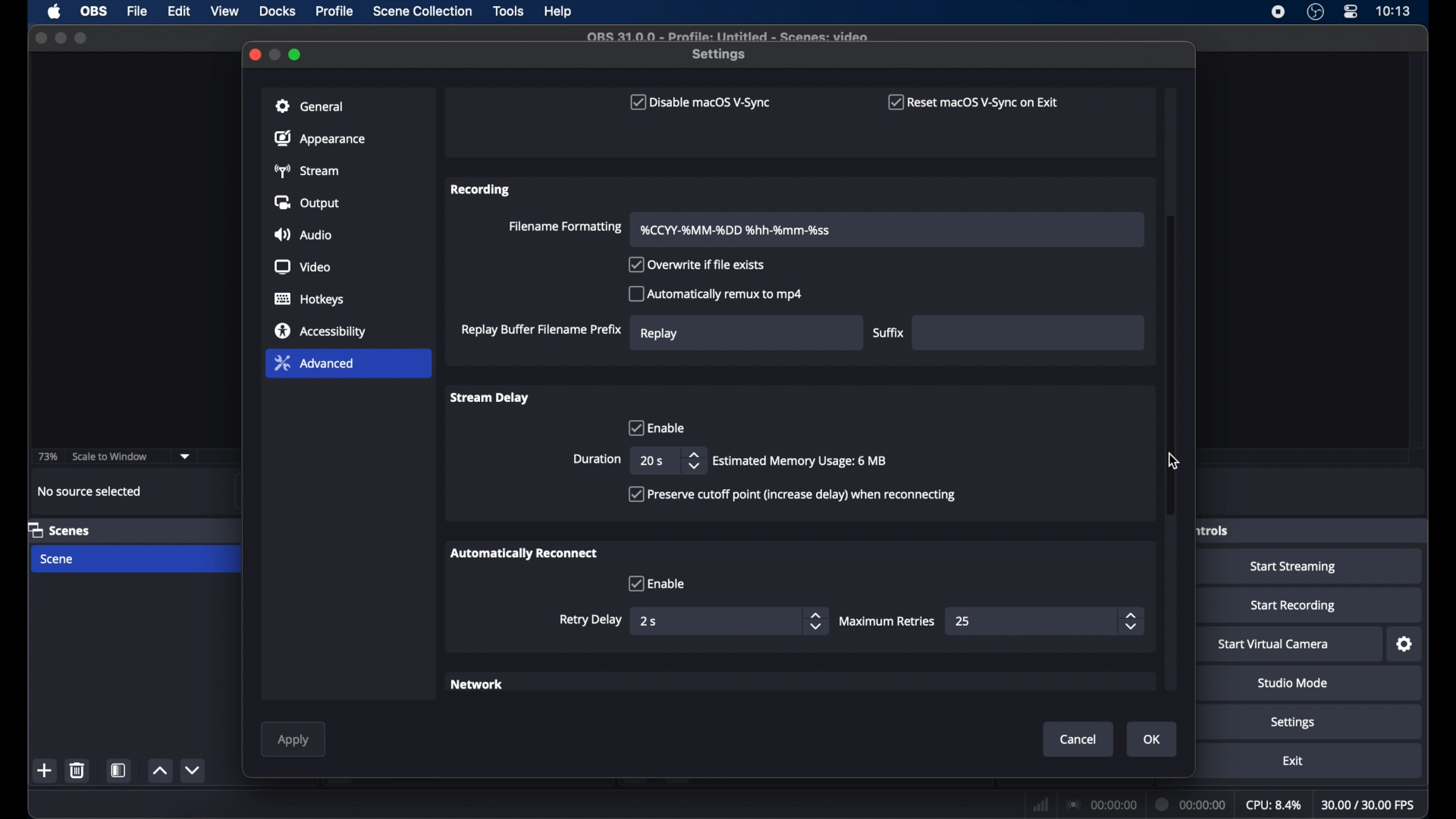 This screenshot has width=1456, height=819. Describe the element at coordinates (59, 529) in the screenshot. I see `scenes` at that location.